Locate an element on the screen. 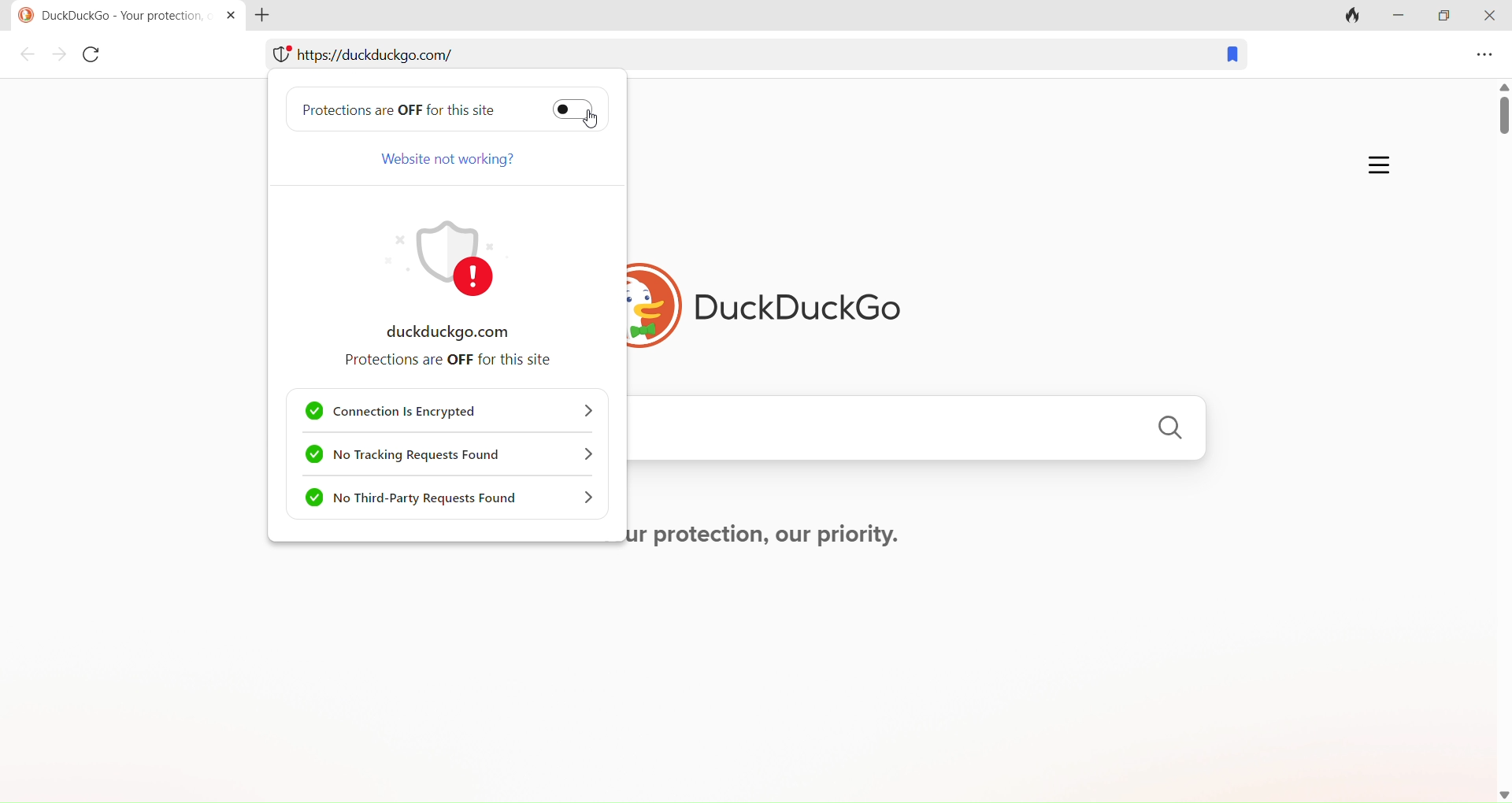  DuckDuckGo is located at coordinates (794, 310).